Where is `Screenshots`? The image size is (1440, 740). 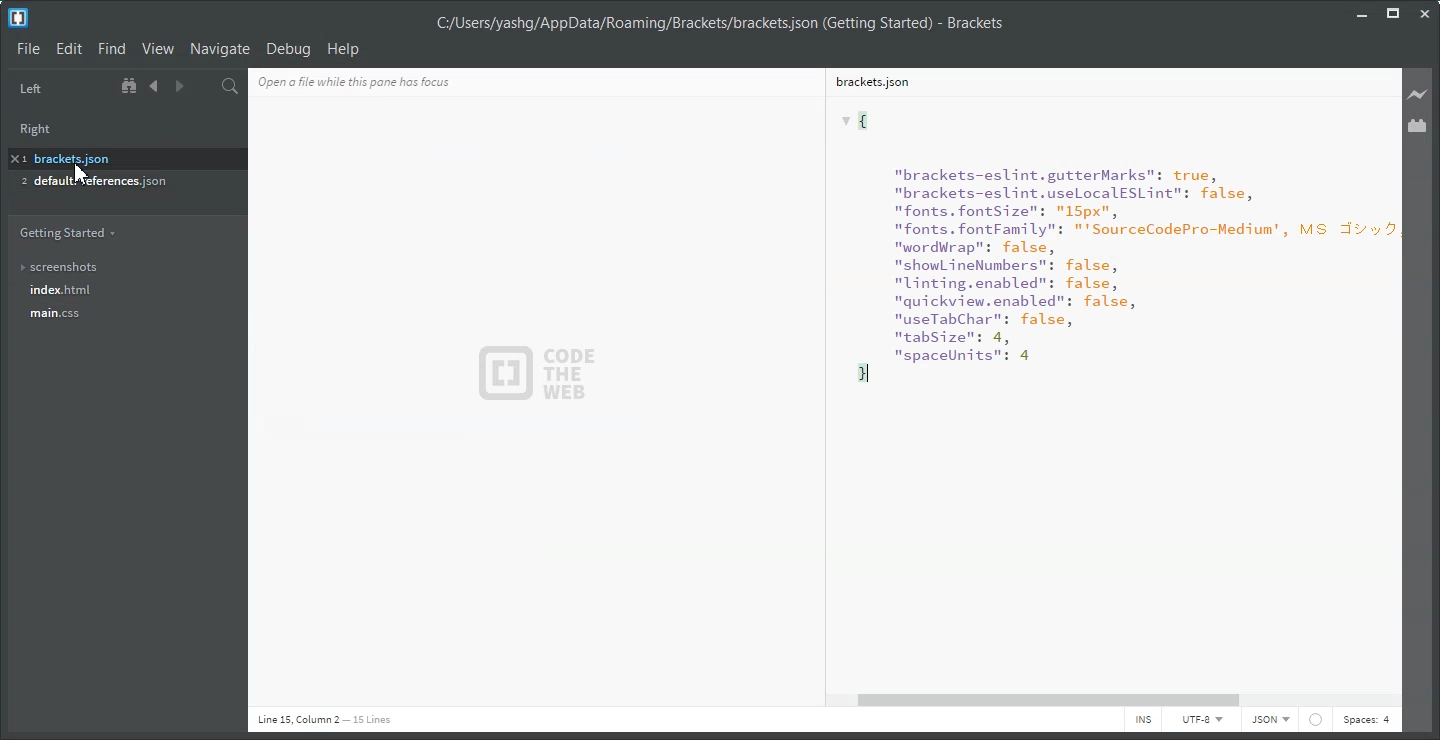 Screenshots is located at coordinates (121, 267).